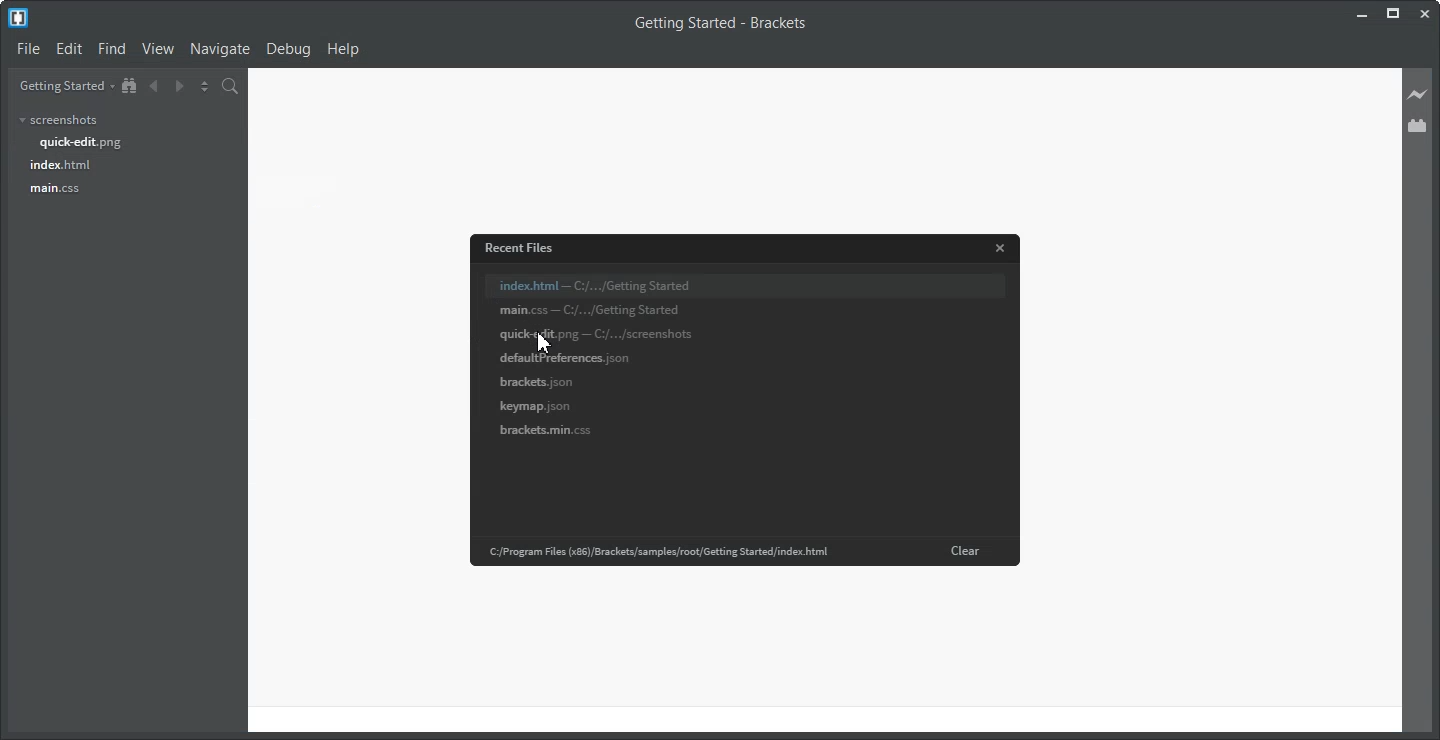 The height and width of the screenshot is (740, 1440). I want to click on Split the editor vertically and Horizontally, so click(205, 86).